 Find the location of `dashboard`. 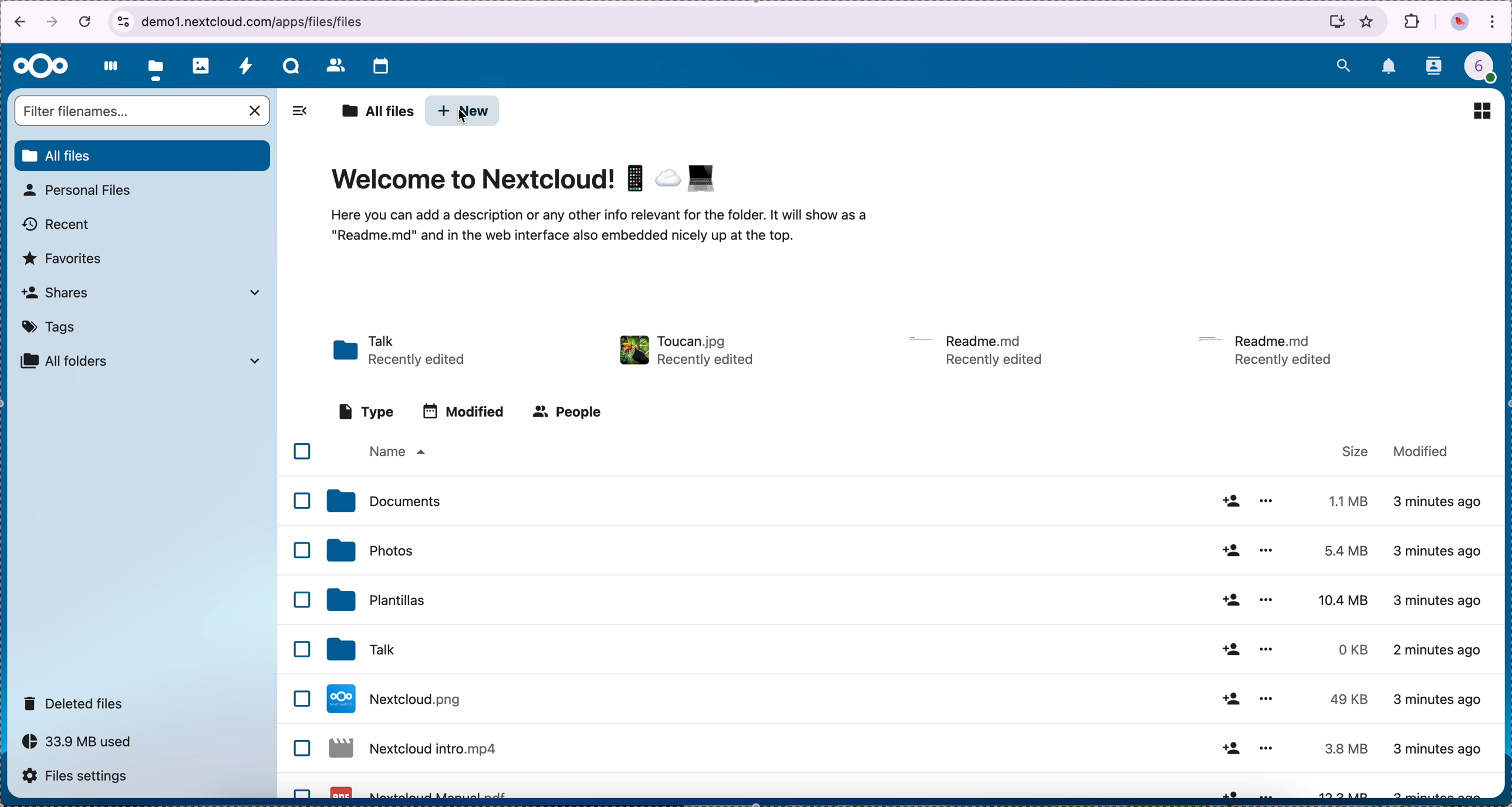

dashboard is located at coordinates (107, 66).